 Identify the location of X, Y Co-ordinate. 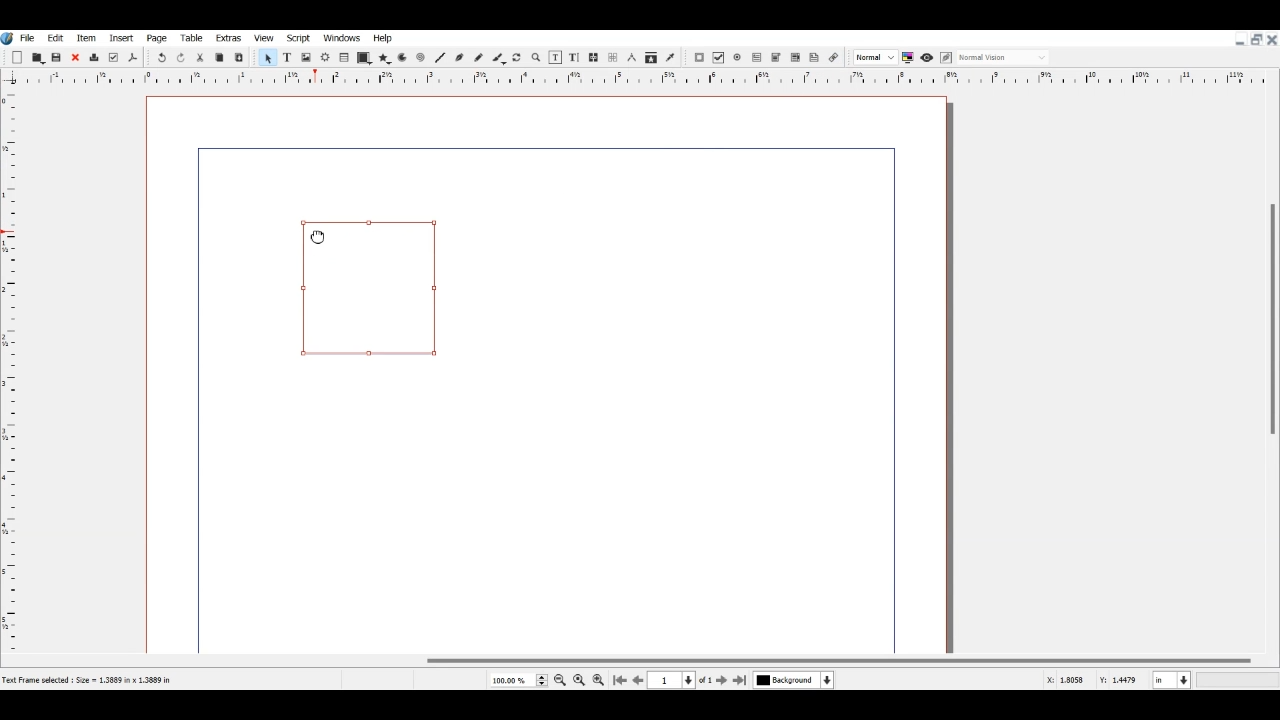
(1067, 680).